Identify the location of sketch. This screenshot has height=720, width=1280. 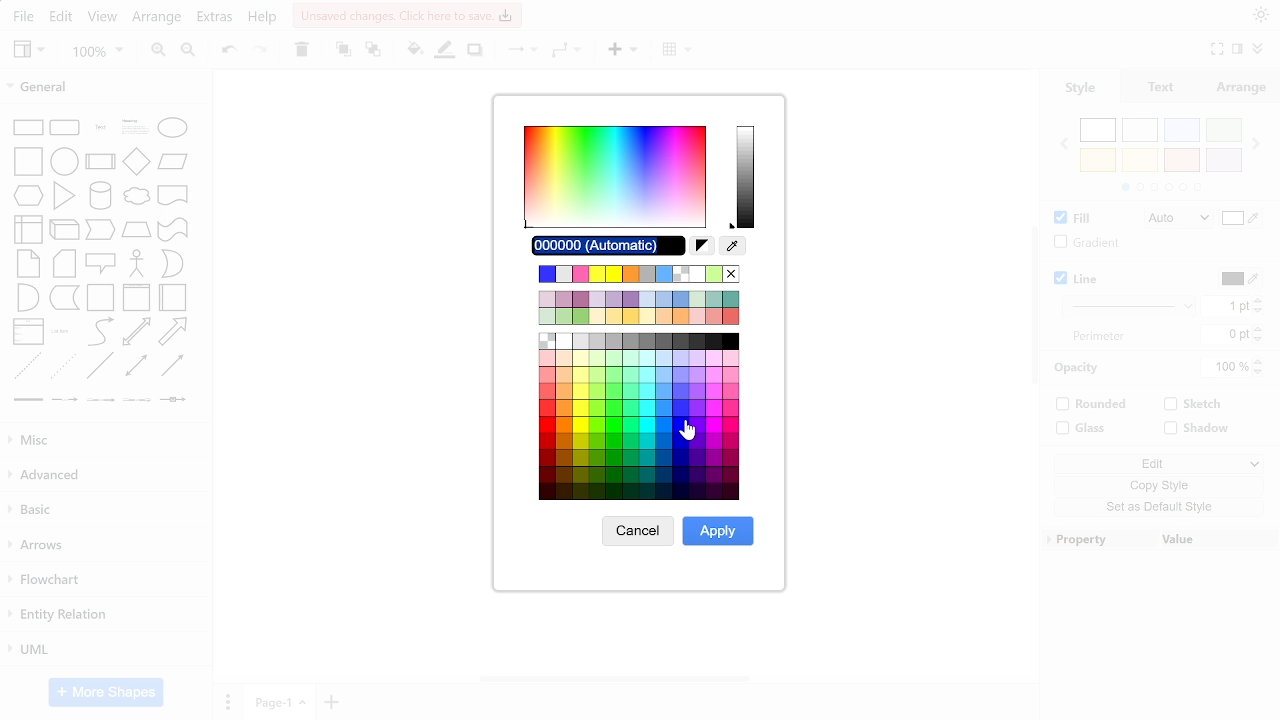
(1192, 406).